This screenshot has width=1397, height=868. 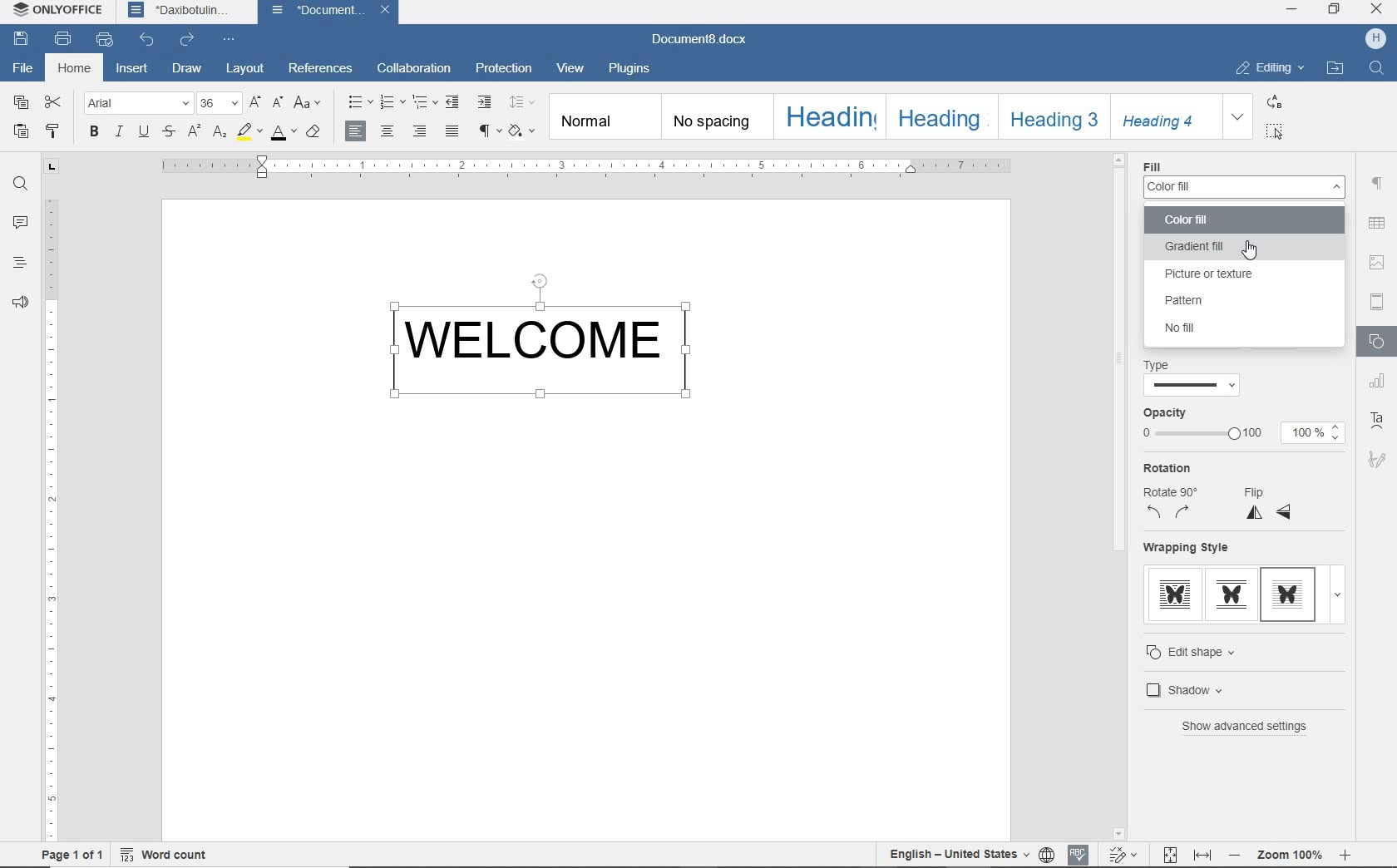 I want to click on HEADING, so click(x=833, y=115).